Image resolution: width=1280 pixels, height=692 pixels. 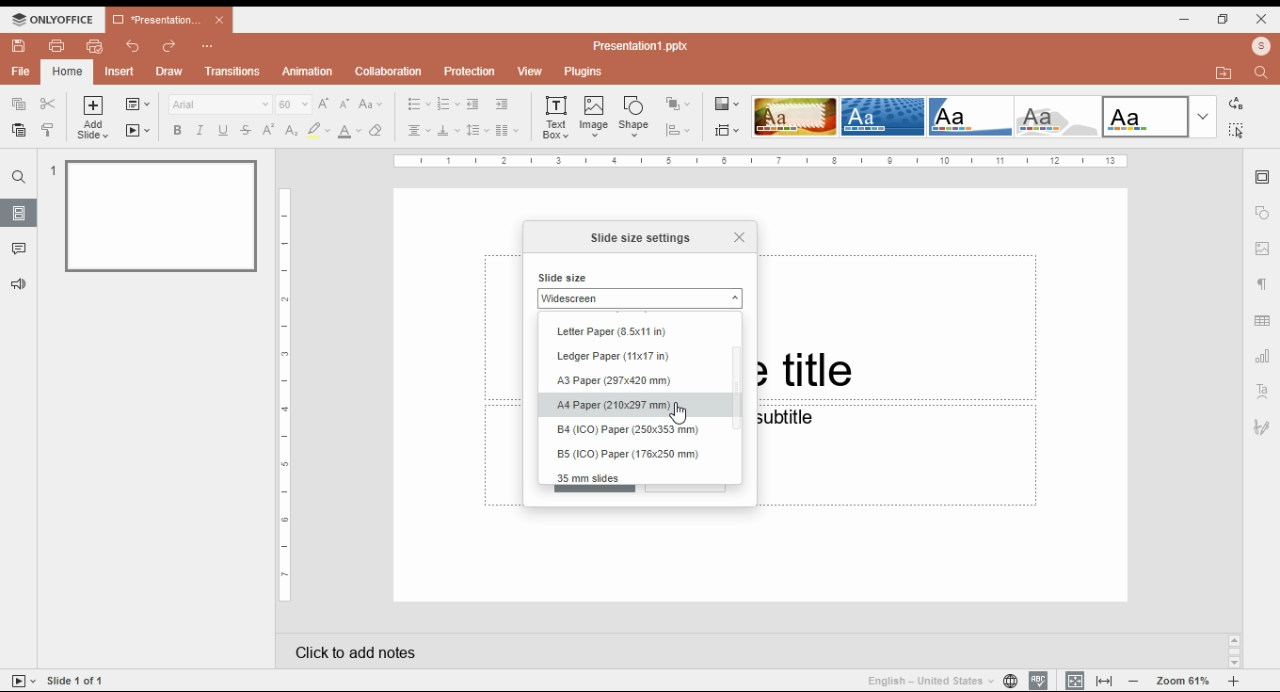 I want to click on undo, so click(x=134, y=46).